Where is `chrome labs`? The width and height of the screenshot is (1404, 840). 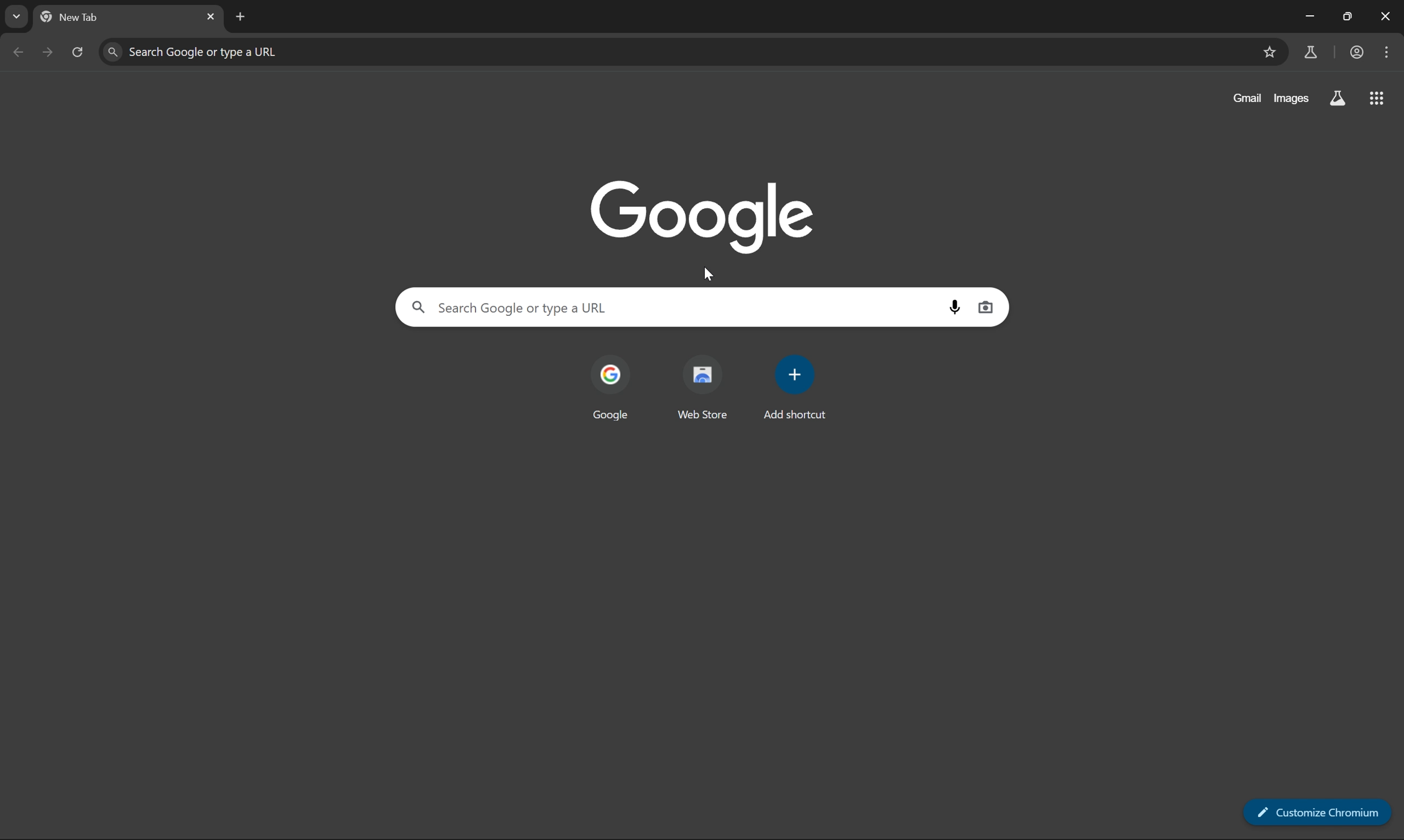 chrome labs is located at coordinates (1311, 50).